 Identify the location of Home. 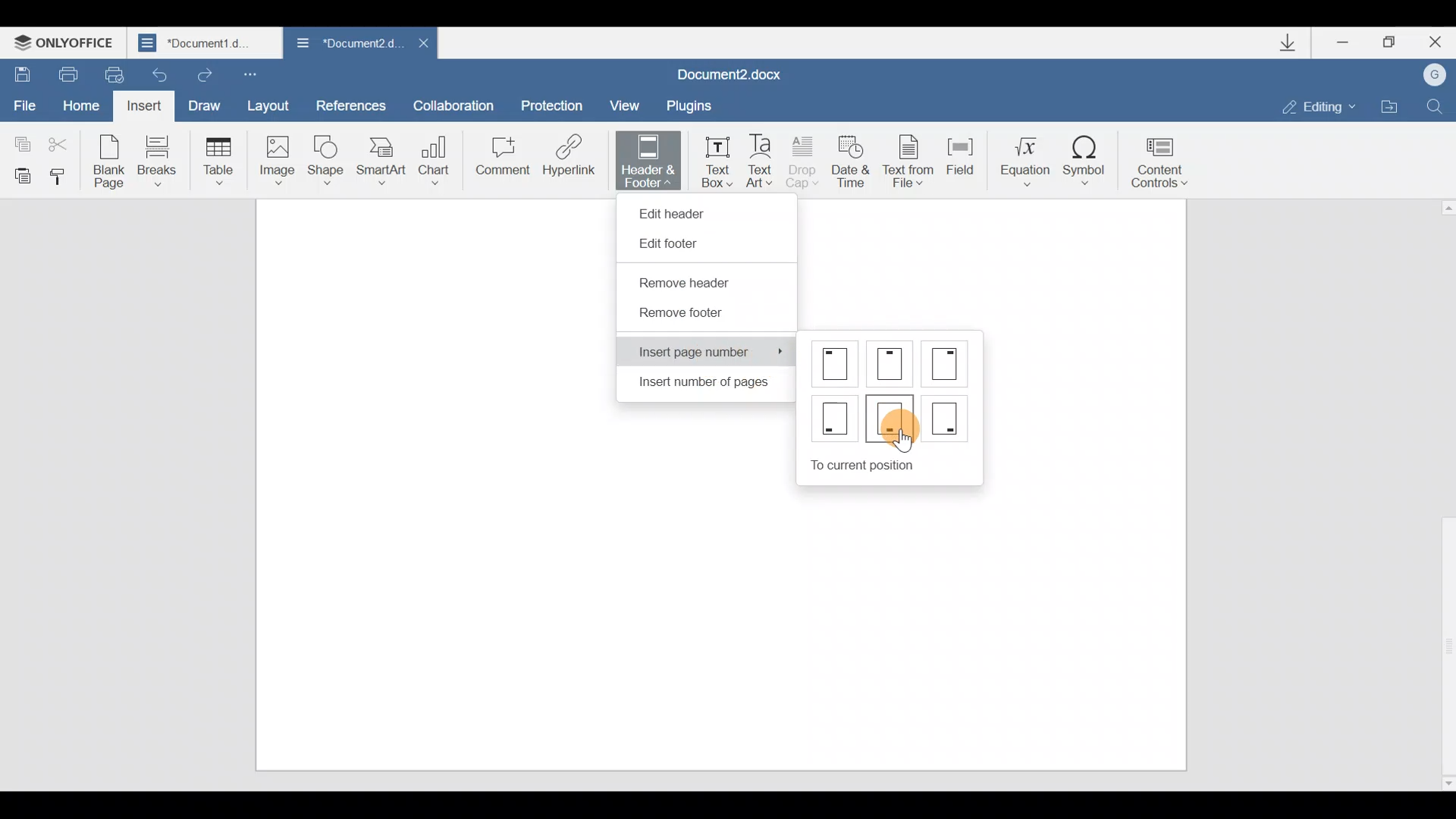
(80, 104).